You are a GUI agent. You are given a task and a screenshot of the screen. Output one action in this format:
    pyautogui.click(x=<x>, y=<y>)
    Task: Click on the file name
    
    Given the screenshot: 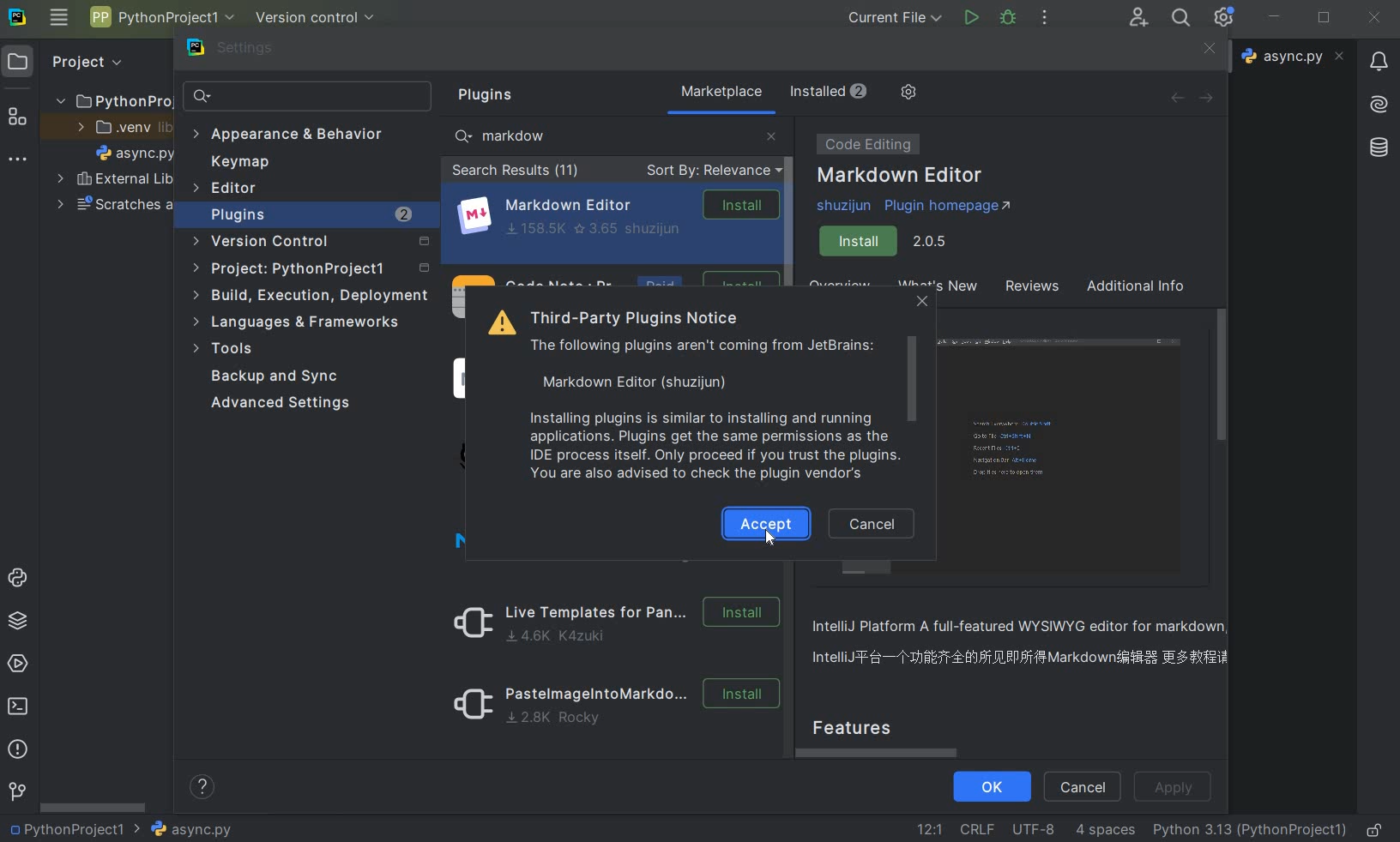 What is the action you would take?
    pyautogui.click(x=1293, y=57)
    